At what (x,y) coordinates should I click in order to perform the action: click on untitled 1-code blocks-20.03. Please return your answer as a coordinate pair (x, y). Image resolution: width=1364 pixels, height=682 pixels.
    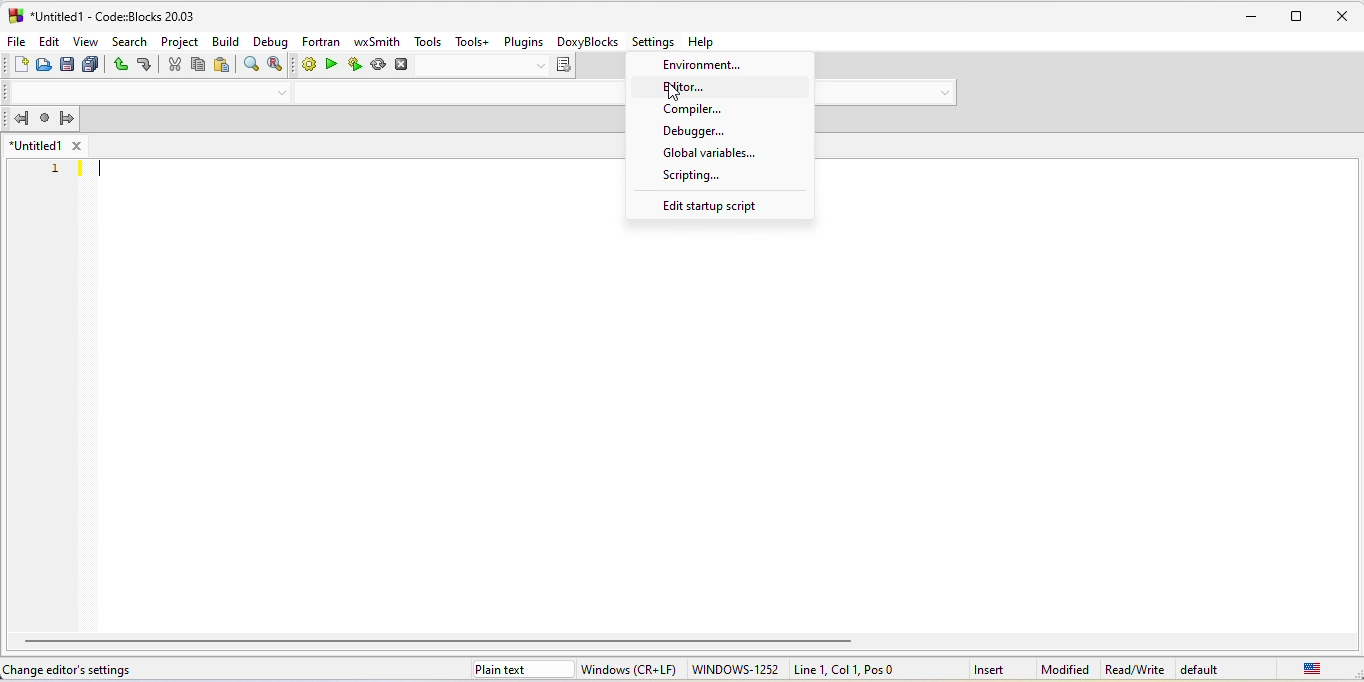
    Looking at the image, I should click on (113, 17).